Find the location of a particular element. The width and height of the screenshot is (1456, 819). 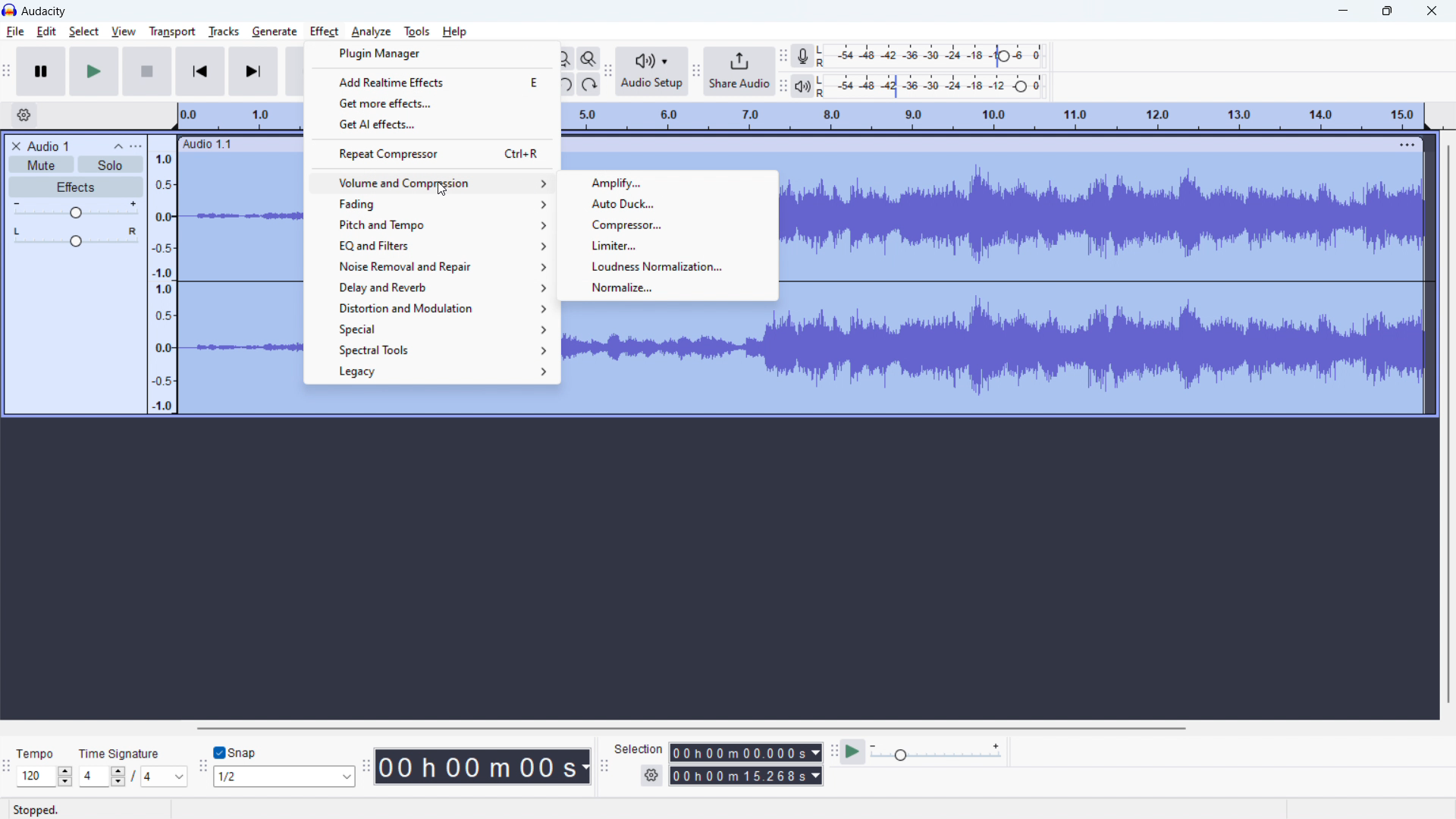

share audio toolbar is located at coordinates (696, 71).